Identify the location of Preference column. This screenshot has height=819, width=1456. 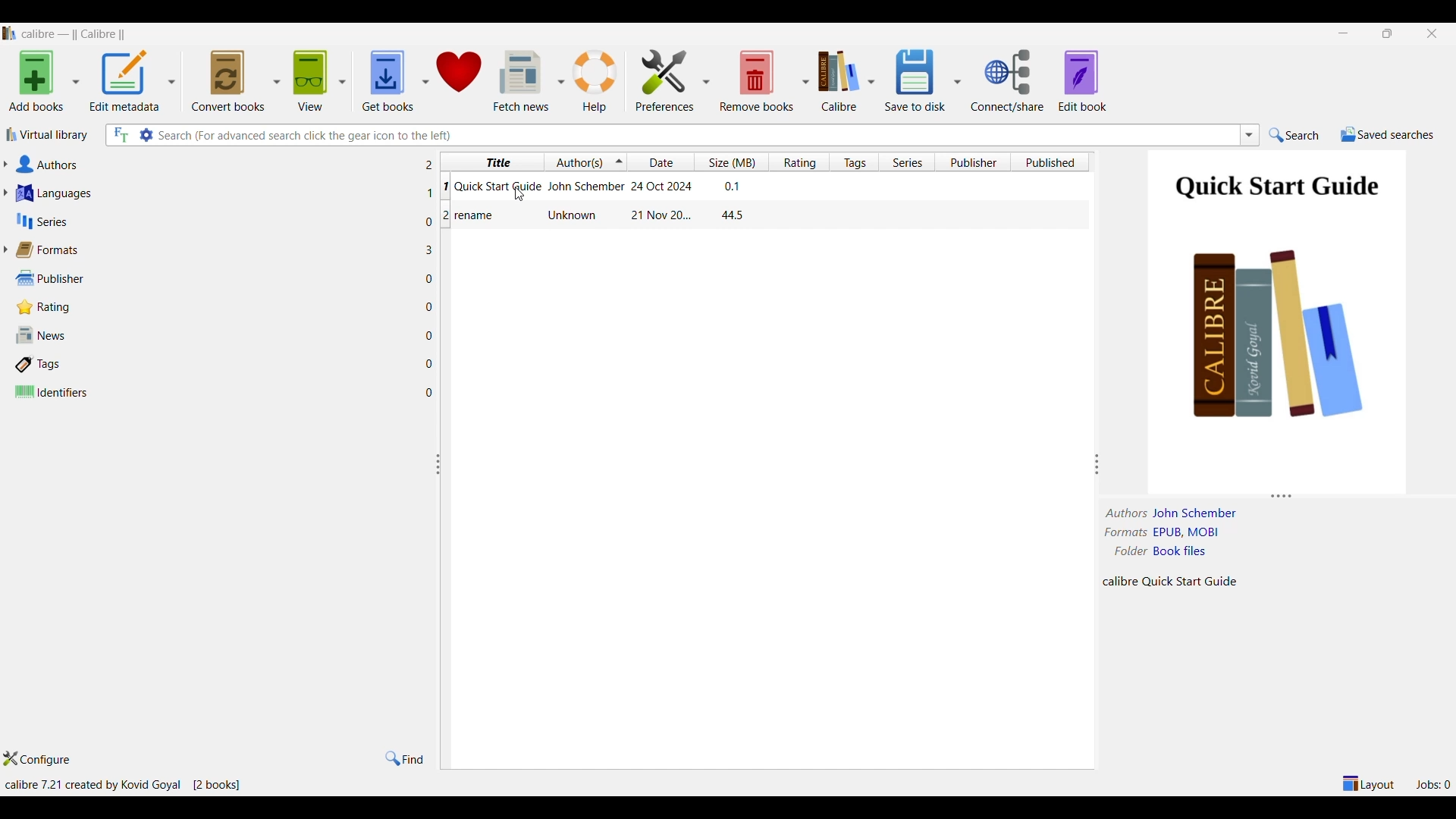
(705, 80).